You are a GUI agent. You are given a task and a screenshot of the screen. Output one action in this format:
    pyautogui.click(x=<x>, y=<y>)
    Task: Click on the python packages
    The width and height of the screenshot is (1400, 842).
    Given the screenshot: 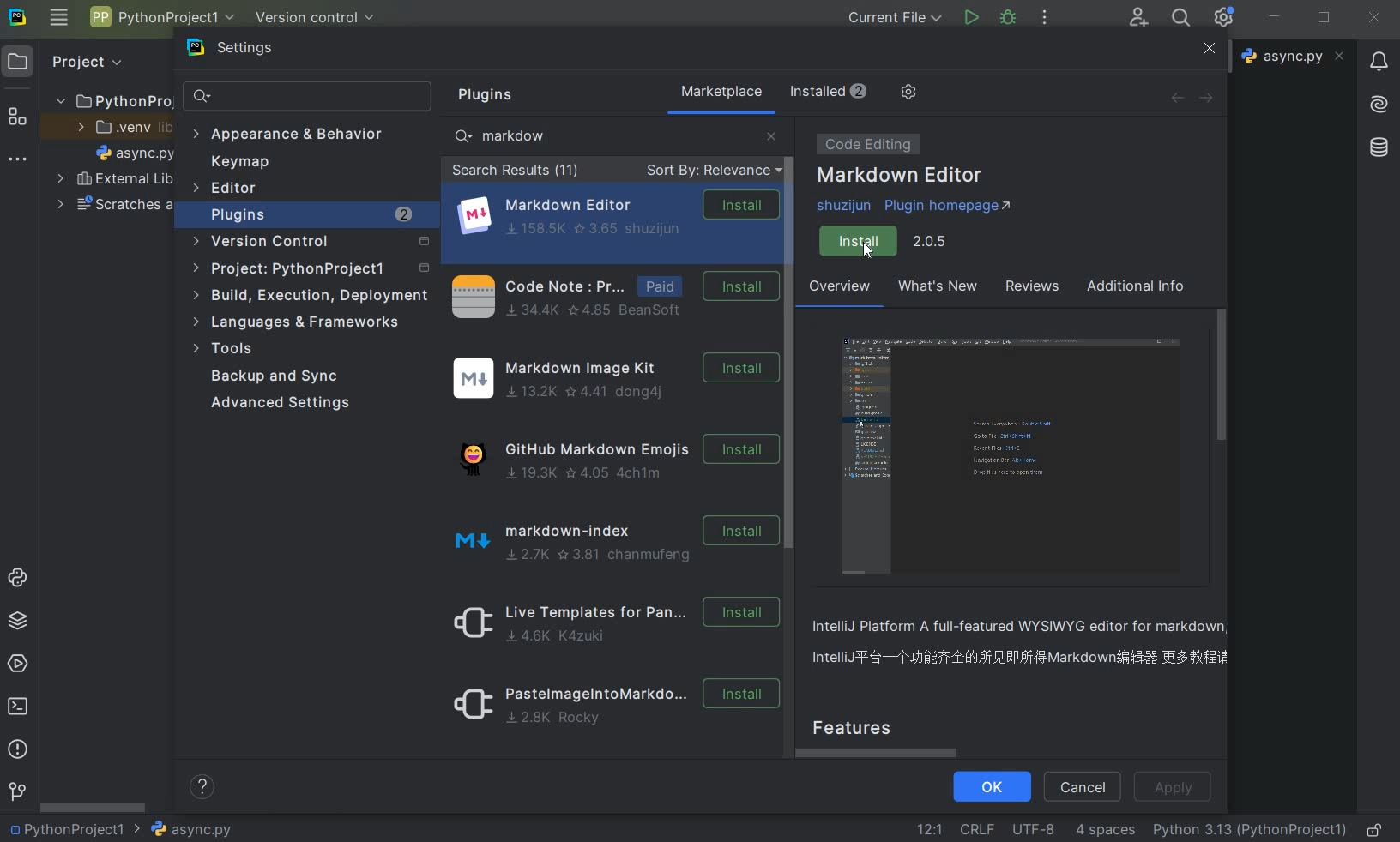 What is the action you would take?
    pyautogui.click(x=16, y=622)
    